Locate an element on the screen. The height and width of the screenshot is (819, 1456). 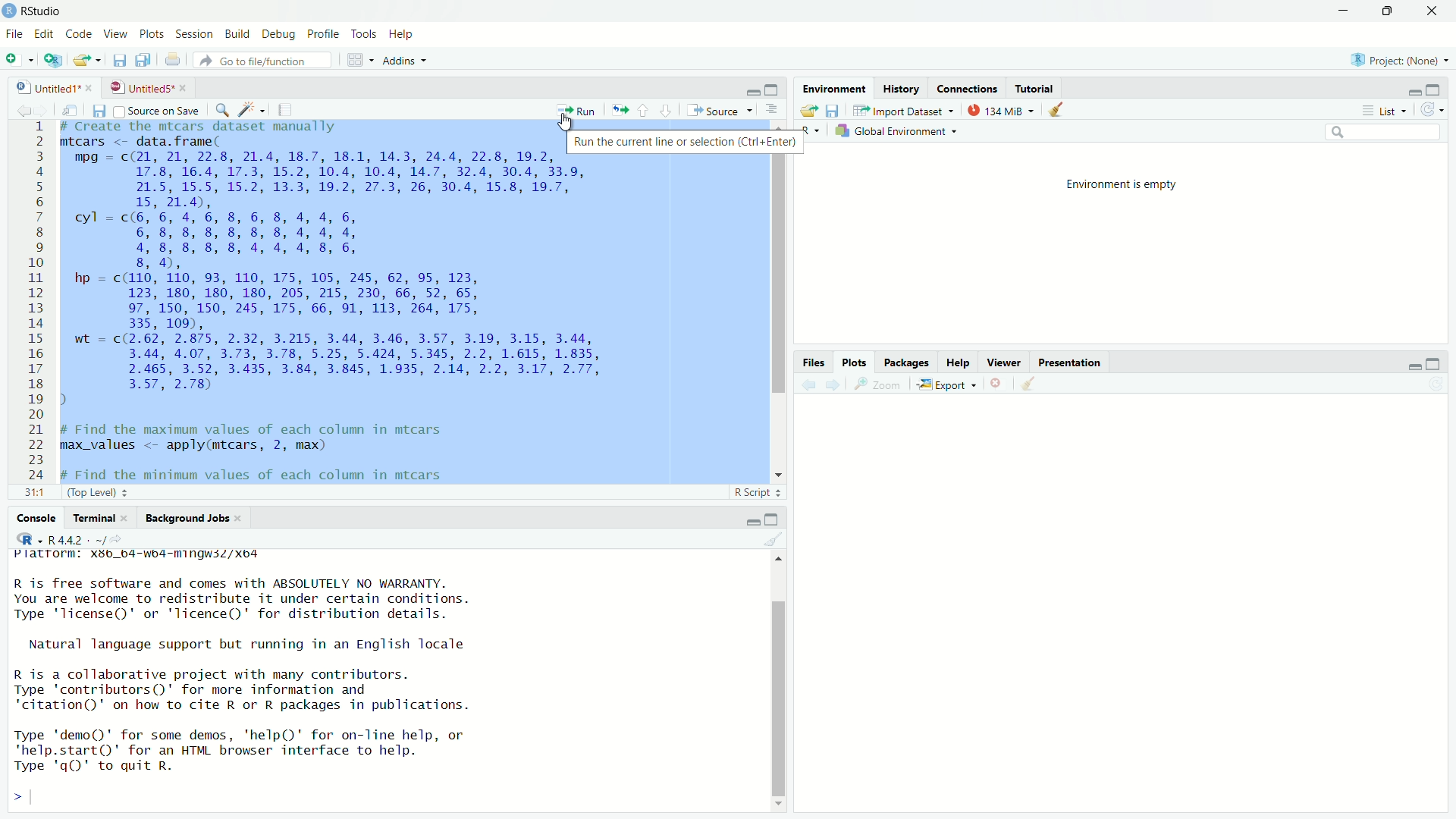
search is located at coordinates (1386, 132).